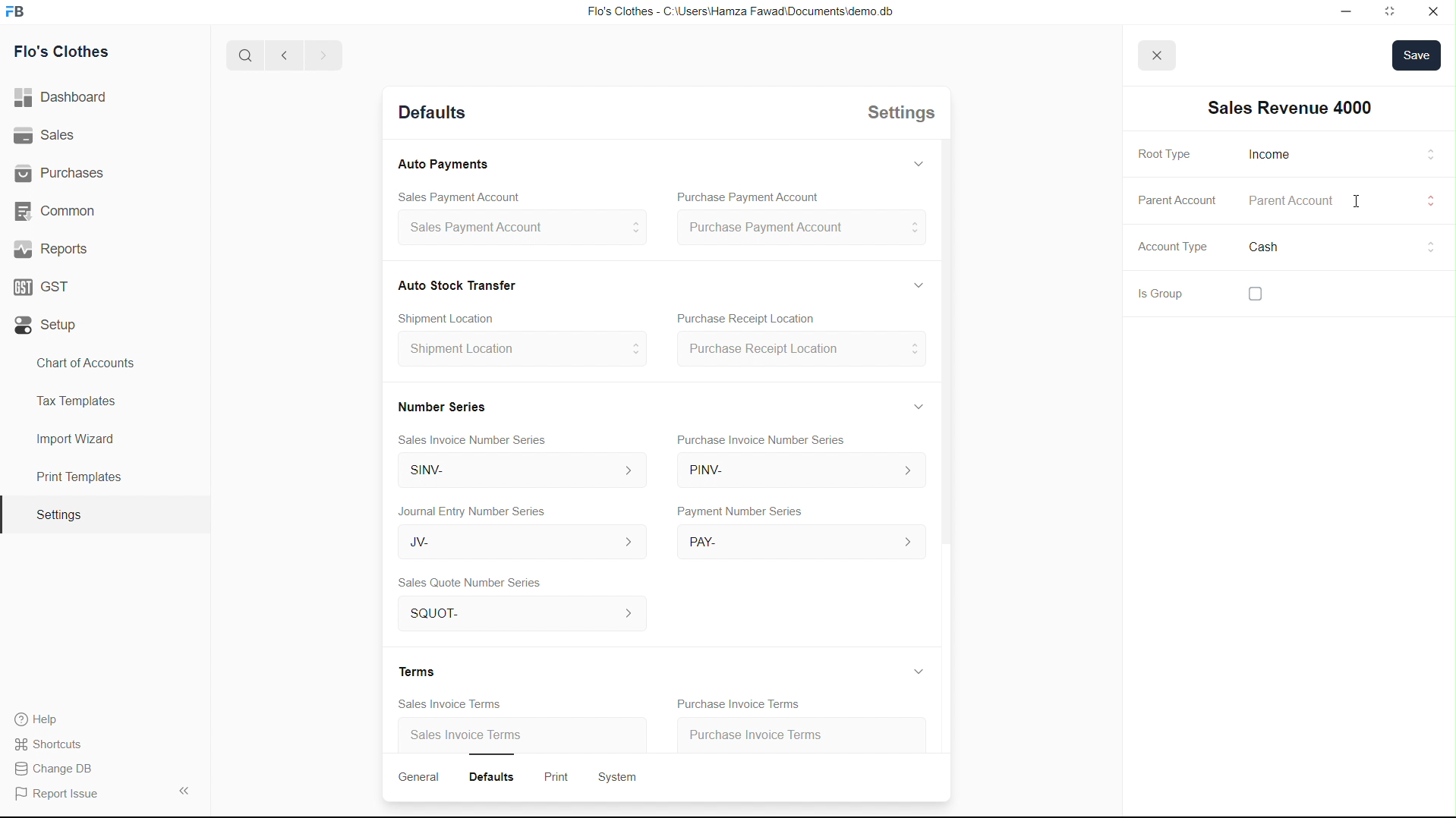 This screenshot has height=818, width=1456. What do you see at coordinates (897, 116) in the screenshot?
I see `Settings` at bounding box center [897, 116].